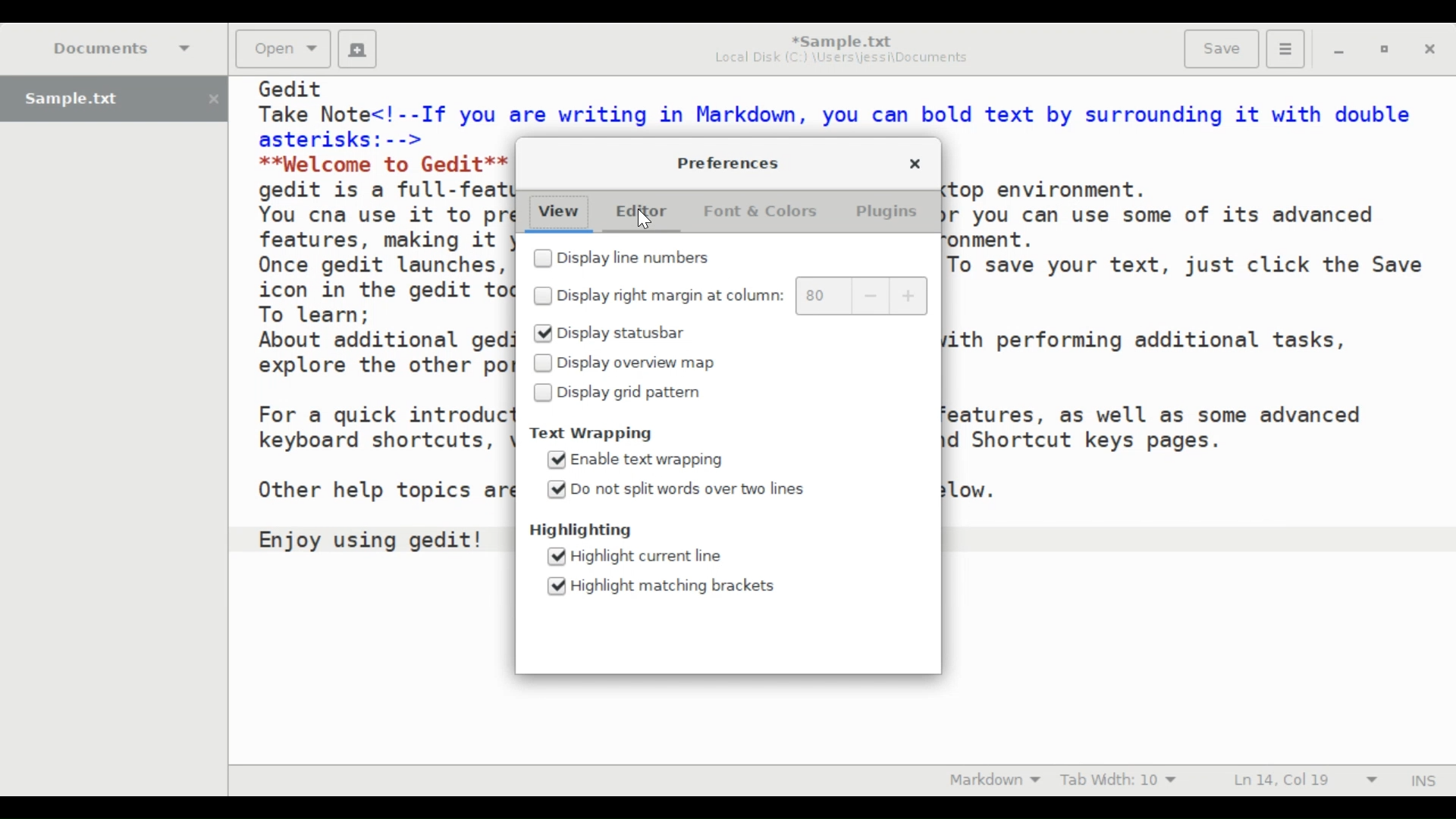  What do you see at coordinates (1422, 779) in the screenshot?
I see `INS` at bounding box center [1422, 779].